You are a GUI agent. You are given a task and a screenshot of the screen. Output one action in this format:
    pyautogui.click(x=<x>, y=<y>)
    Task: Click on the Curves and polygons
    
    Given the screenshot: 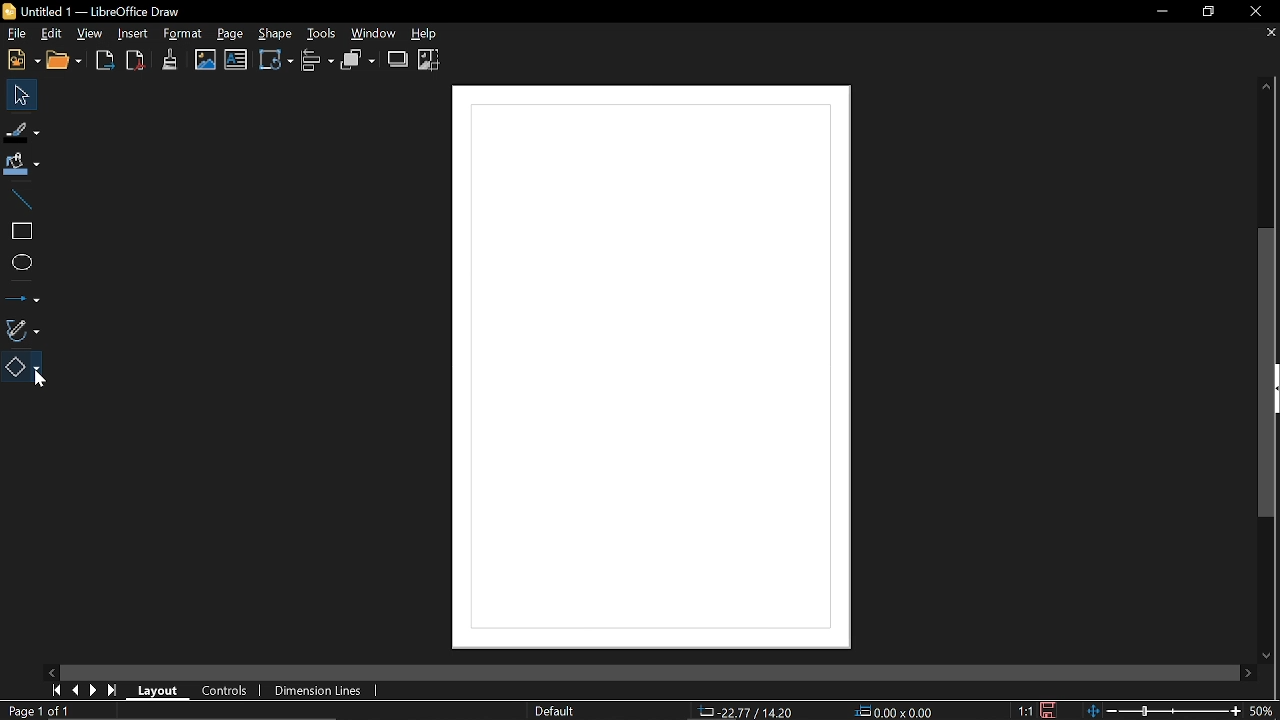 What is the action you would take?
    pyautogui.click(x=21, y=328)
    